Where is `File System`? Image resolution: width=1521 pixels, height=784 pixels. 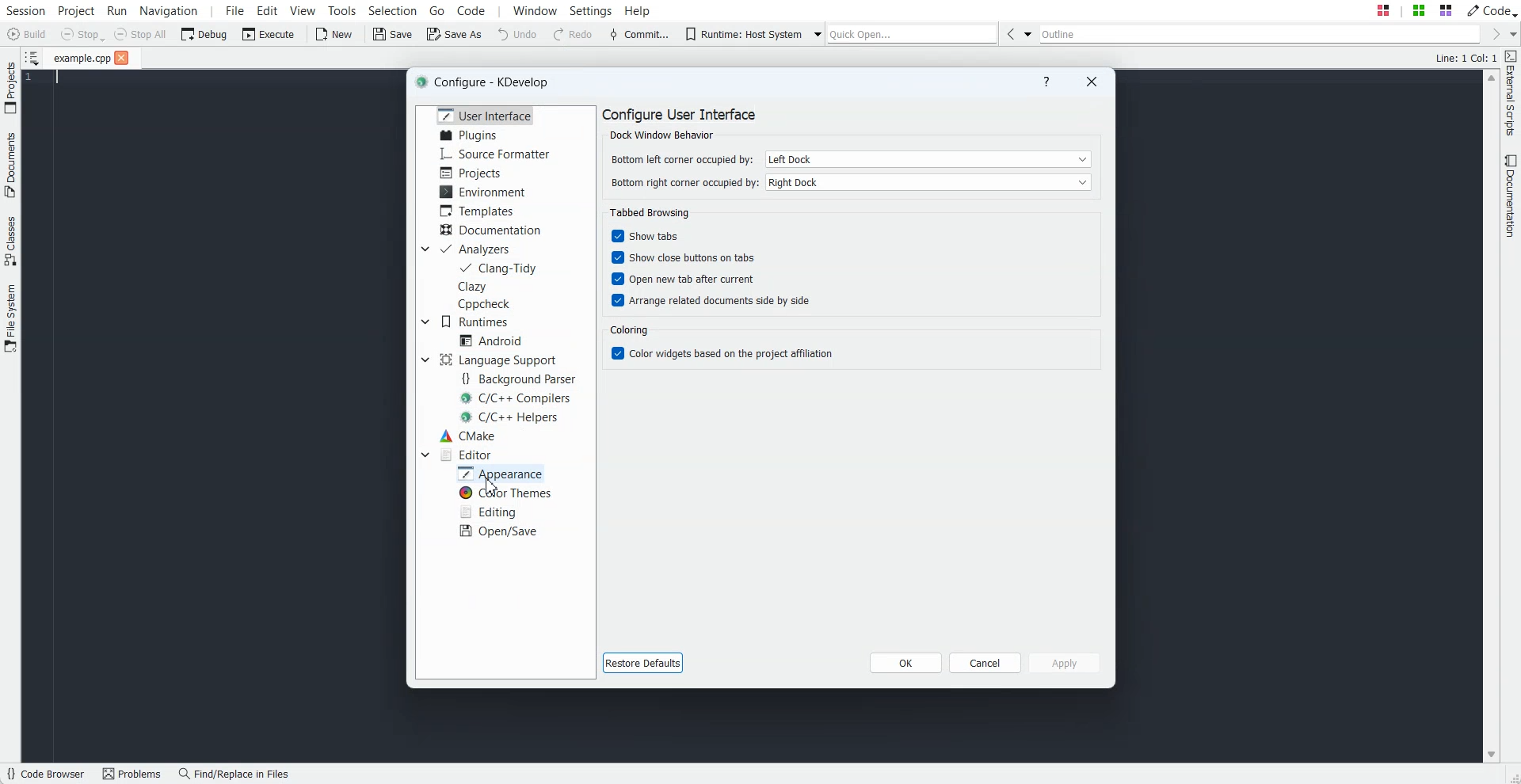
File System is located at coordinates (10, 319).